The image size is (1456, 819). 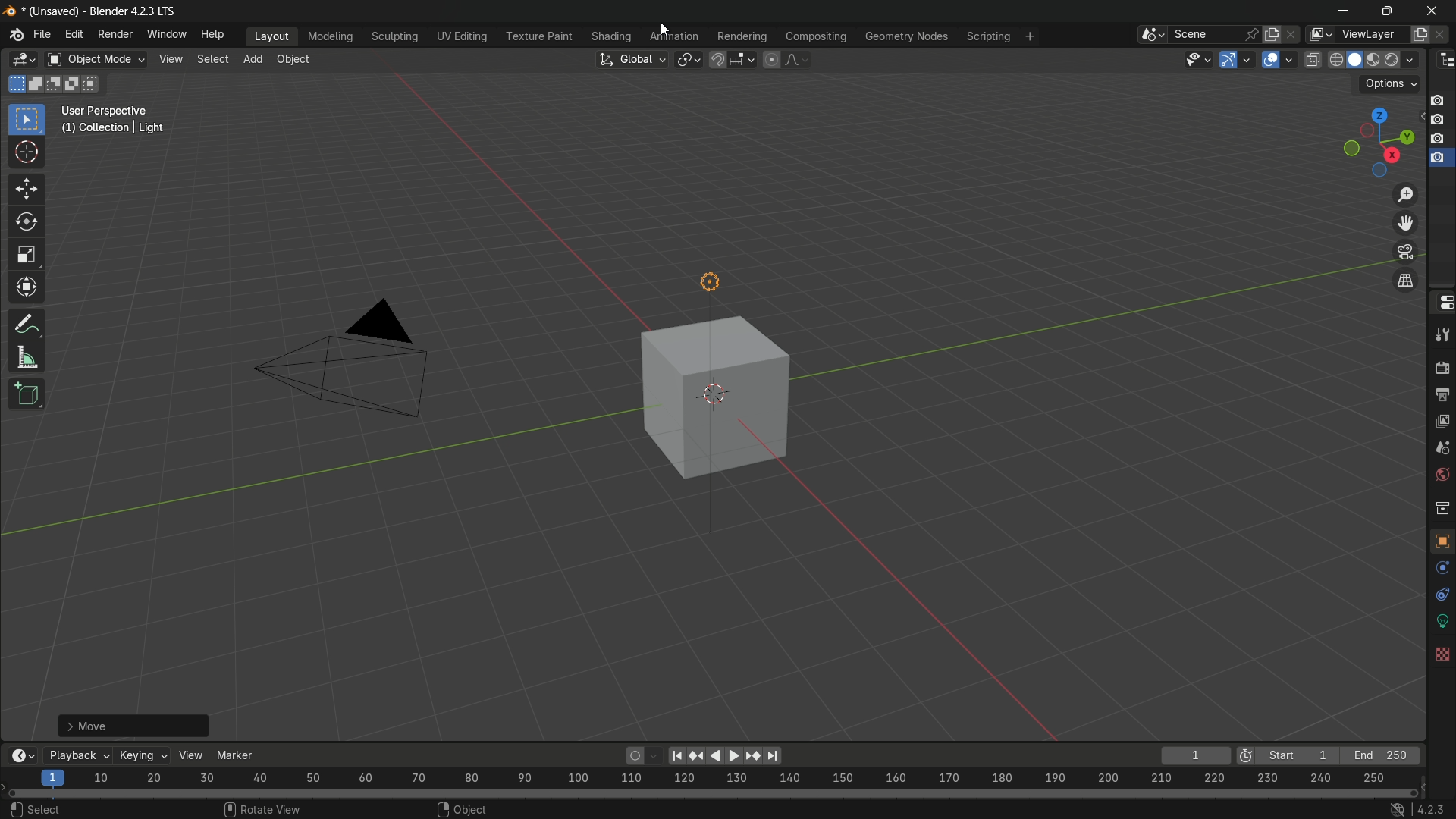 What do you see at coordinates (212, 33) in the screenshot?
I see `help menu` at bounding box center [212, 33].